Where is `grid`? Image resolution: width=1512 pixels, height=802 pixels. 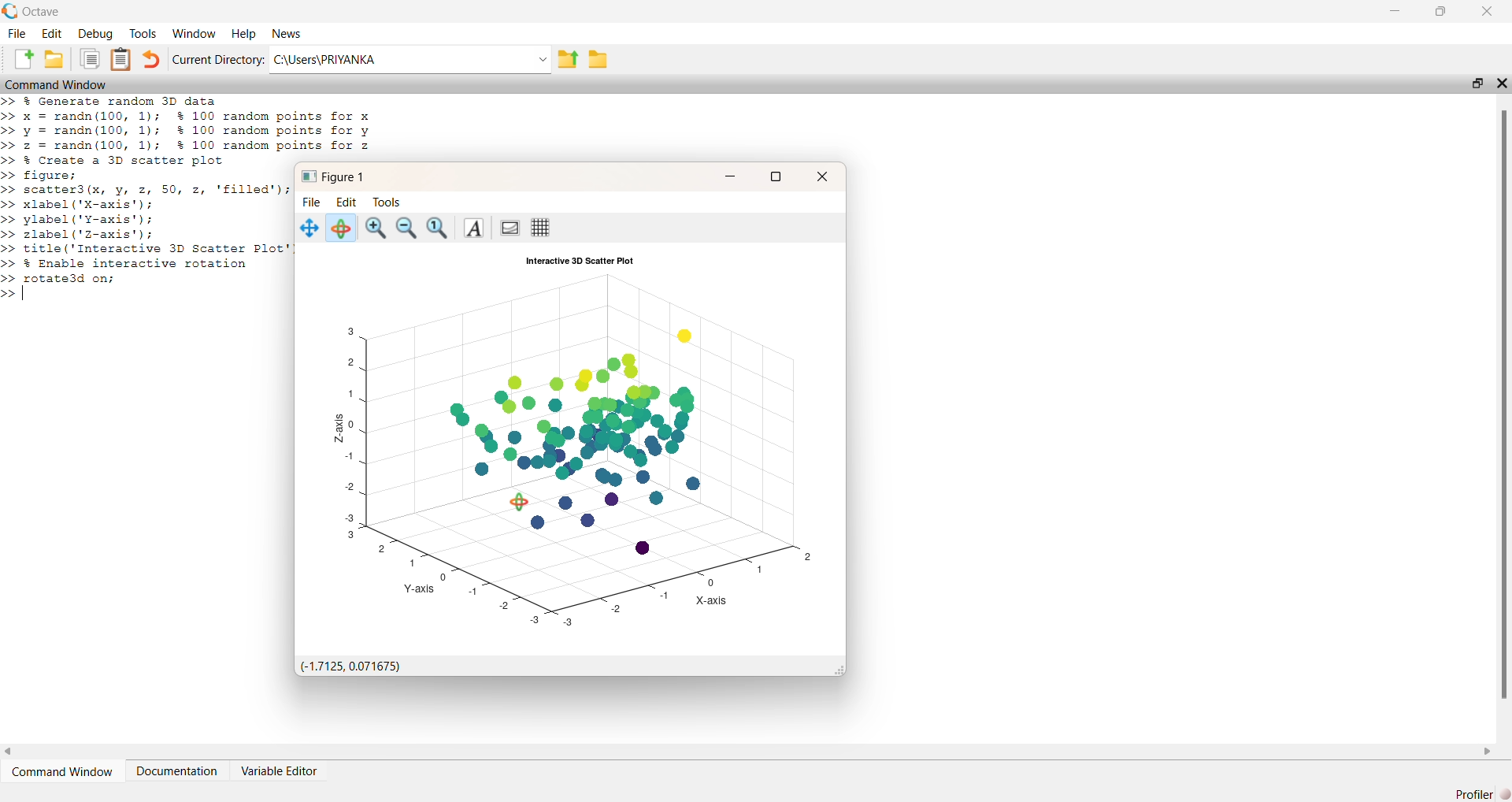
grid is located at coordinates (540, 228).